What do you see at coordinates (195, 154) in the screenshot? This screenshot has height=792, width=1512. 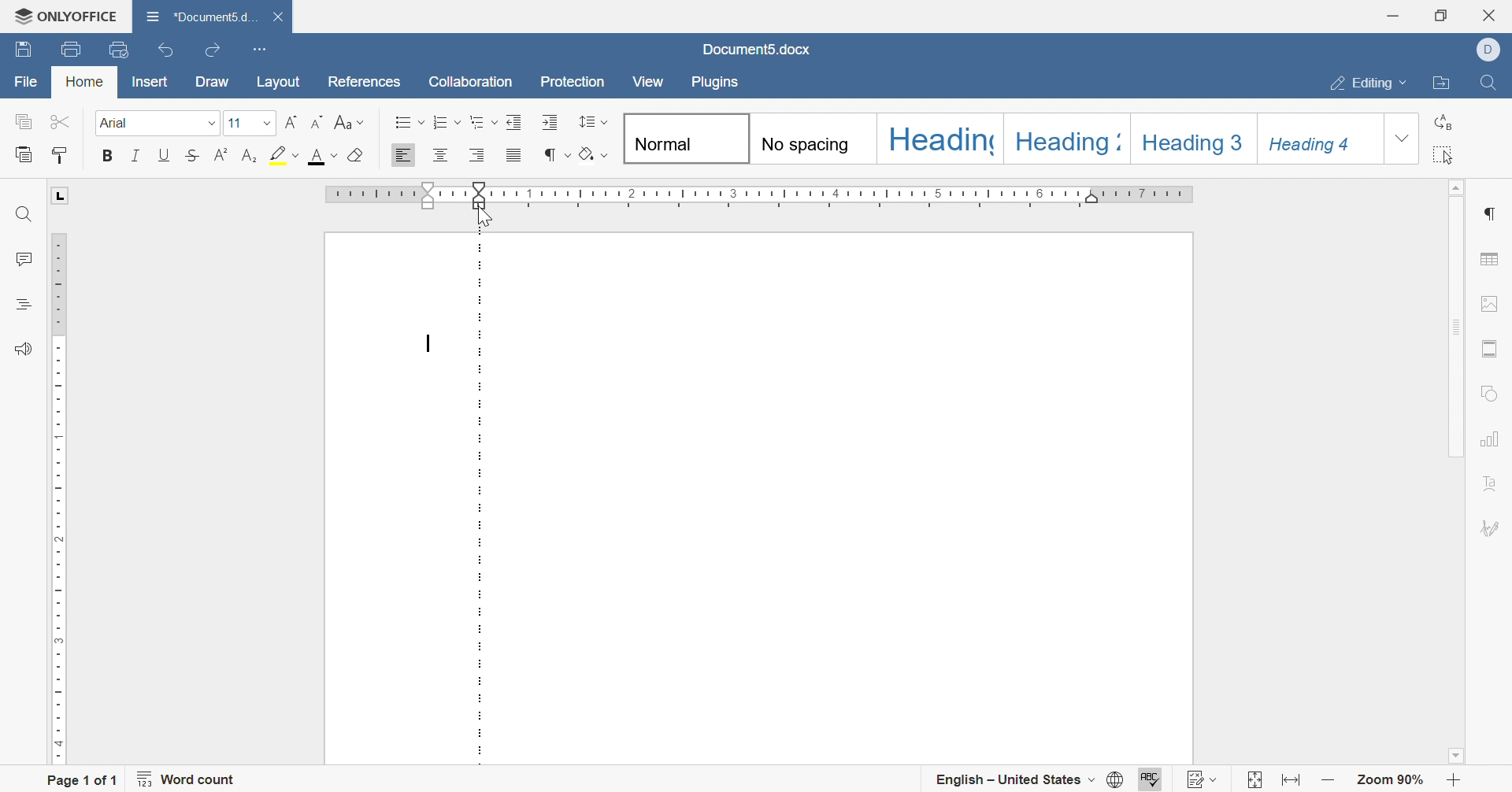 I see `strikethrough` at bounding box center [195, 154].